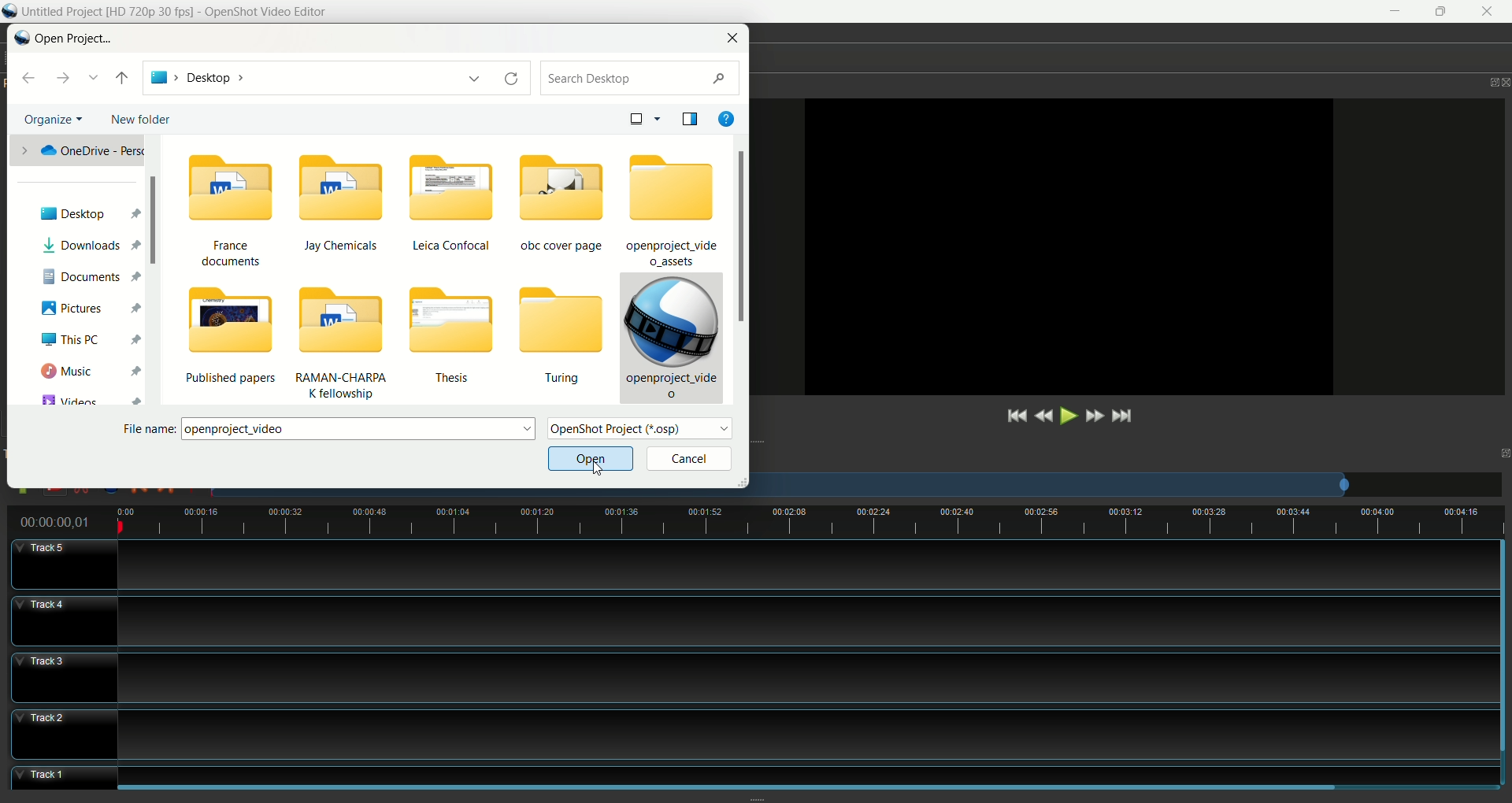 Image resolution: width=1512 pixels, height=803 pixels. What do you see at coordinates (313, 77) in the screenshot?
I see `> Desktop >` at bounding box center [313, 77].